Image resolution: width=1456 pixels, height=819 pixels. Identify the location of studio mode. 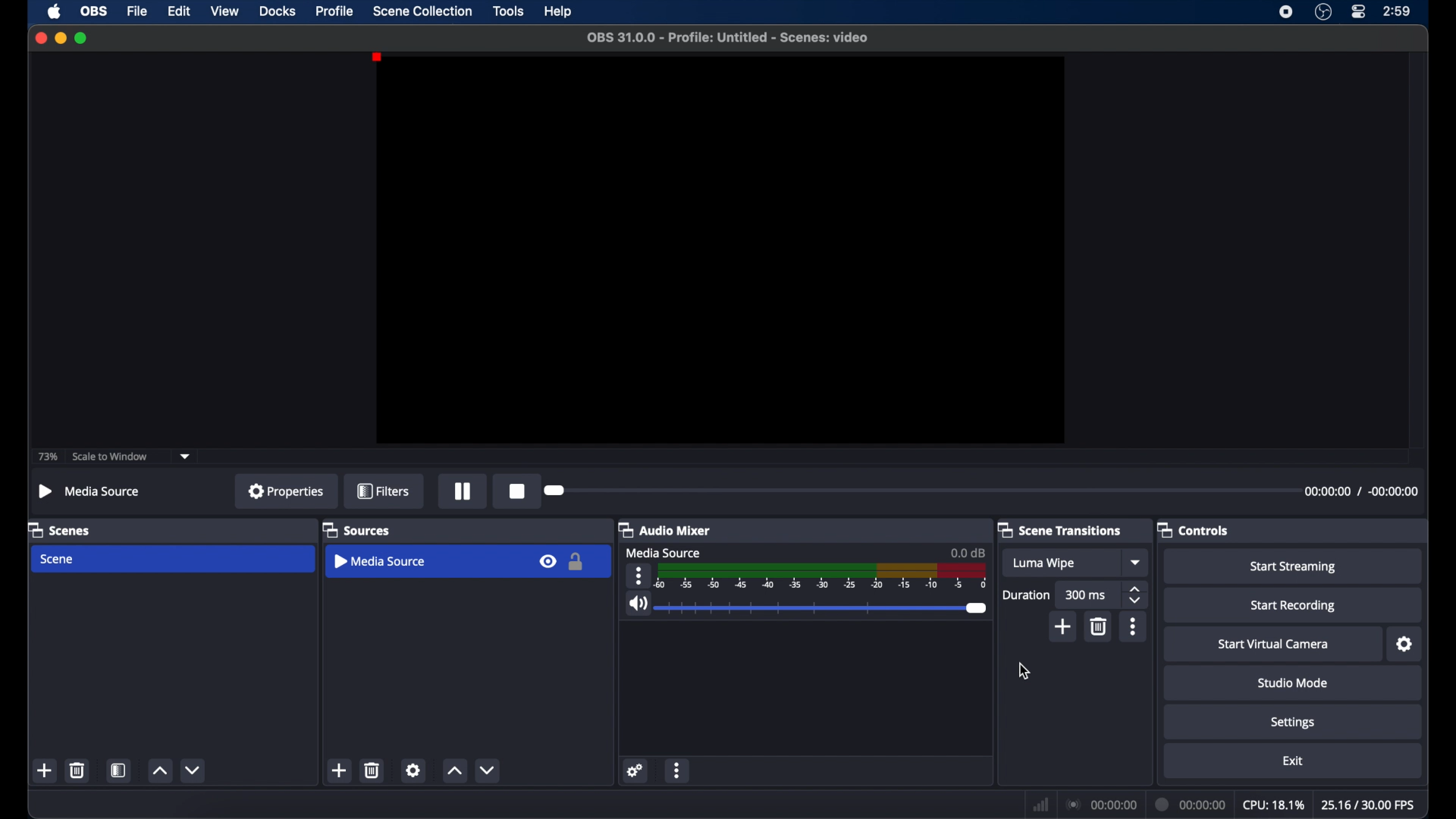
(1291, 684).